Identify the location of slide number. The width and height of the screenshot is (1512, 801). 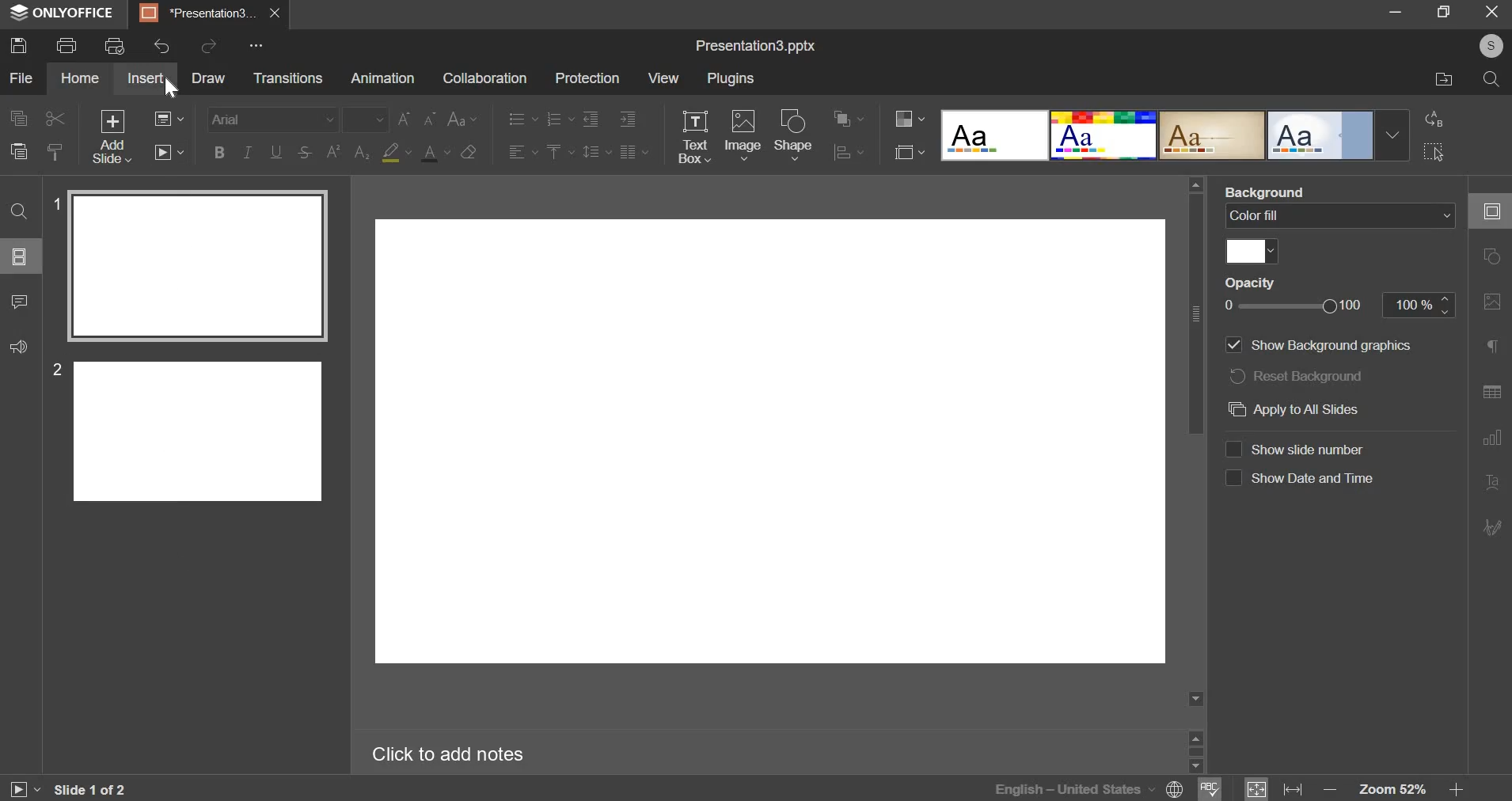
(54, 202).